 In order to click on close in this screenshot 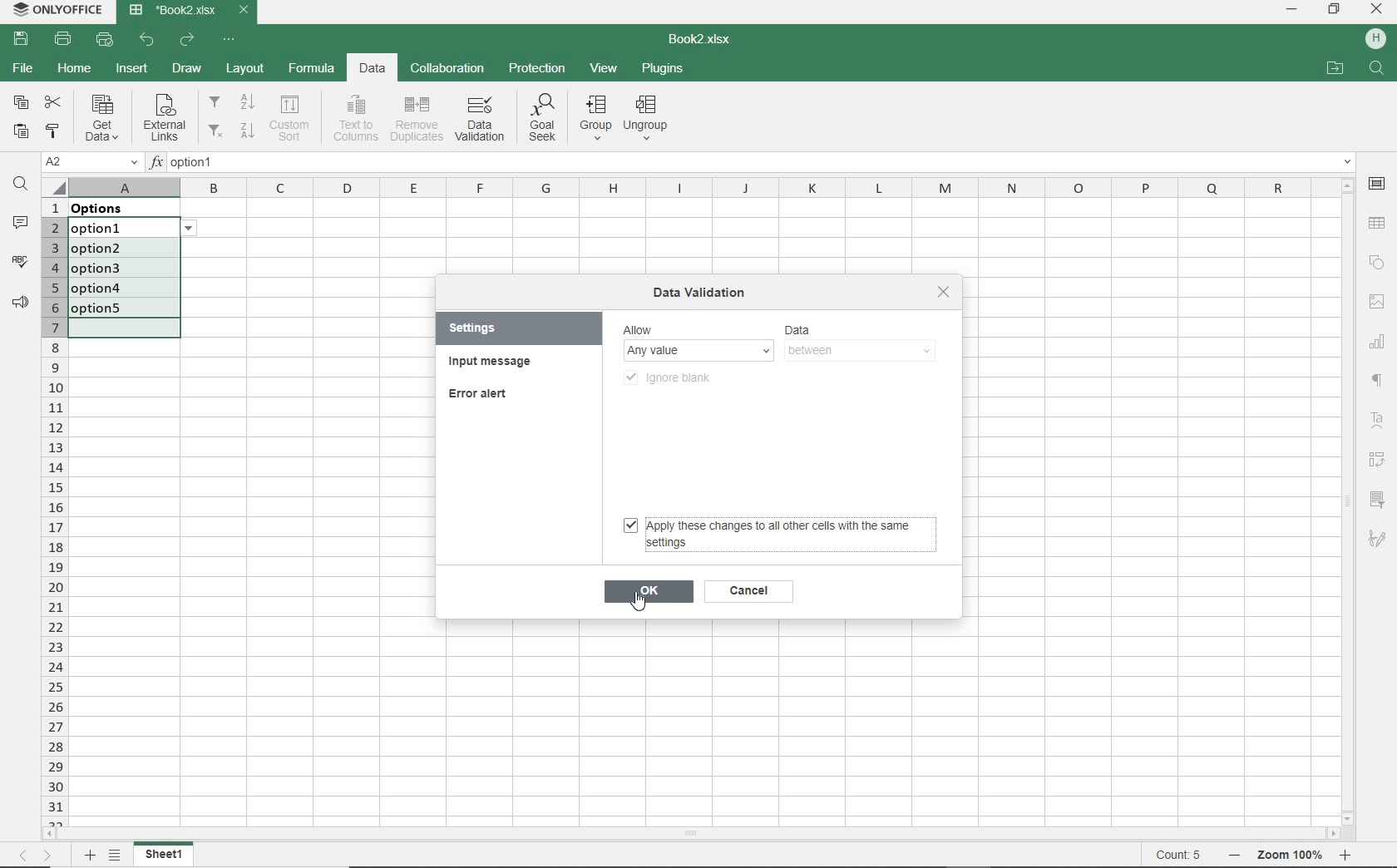, I will do `click(944, 292)`.